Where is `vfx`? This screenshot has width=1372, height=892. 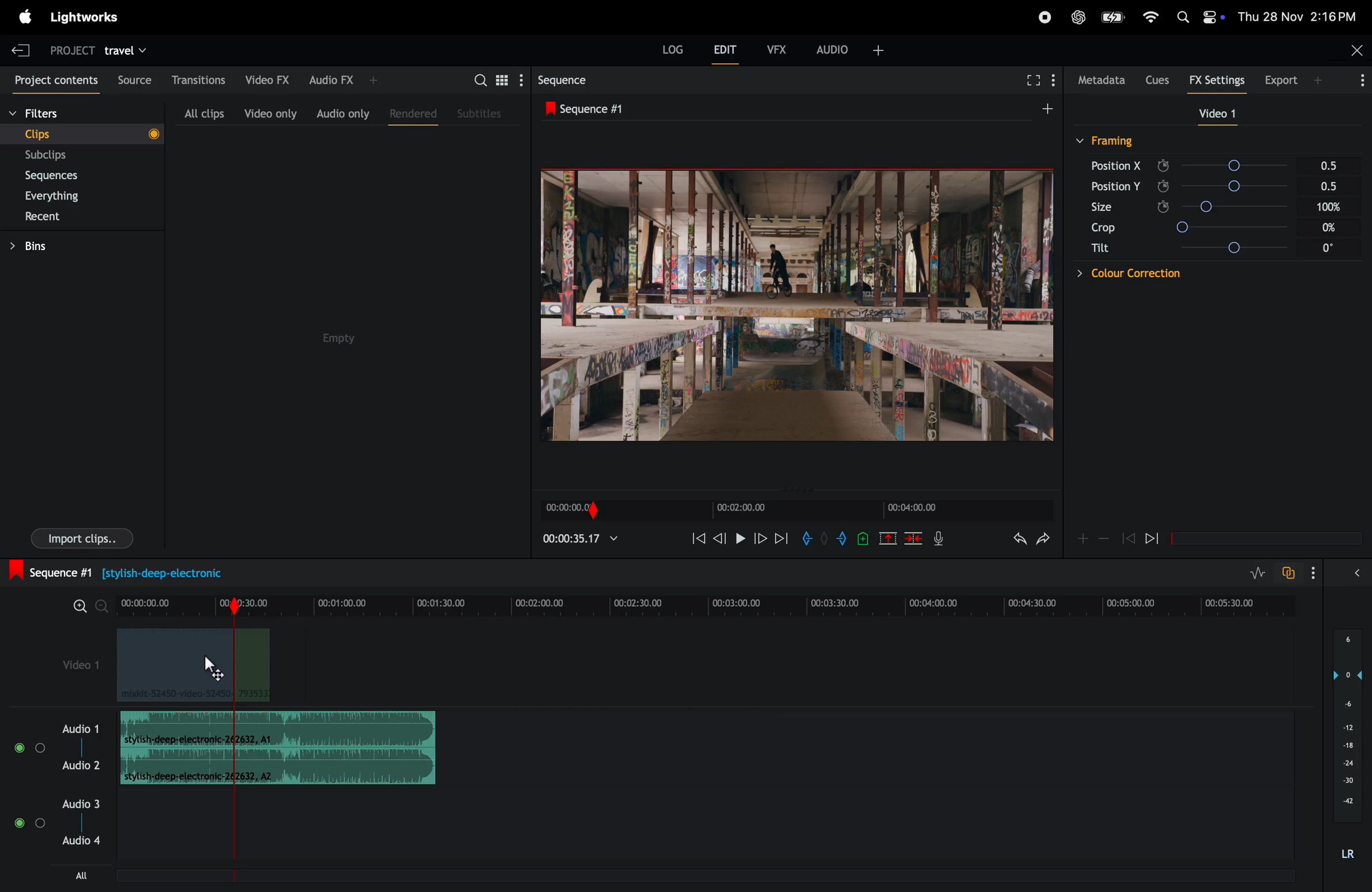
vfx is located at coordinates (777, 48).